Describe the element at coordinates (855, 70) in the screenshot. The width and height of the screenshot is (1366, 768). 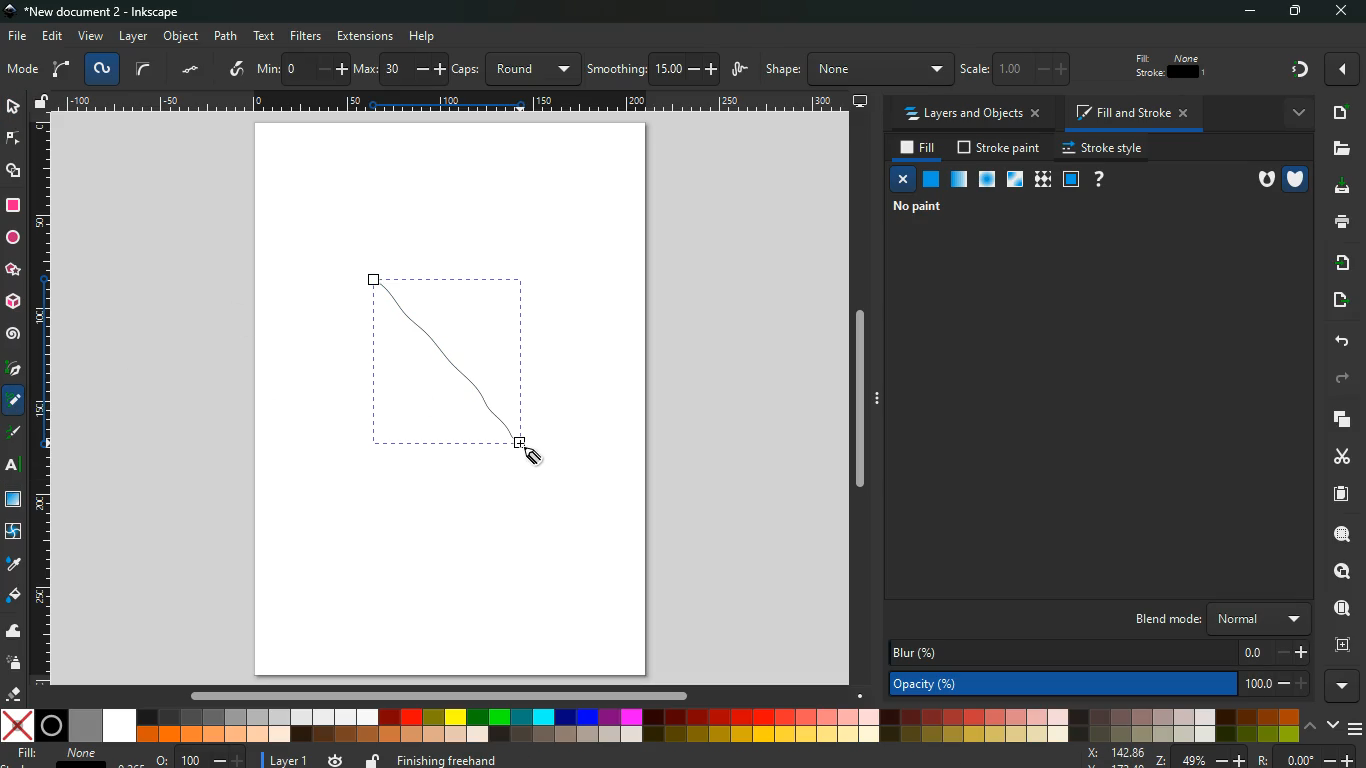
I see `shape` at that location.